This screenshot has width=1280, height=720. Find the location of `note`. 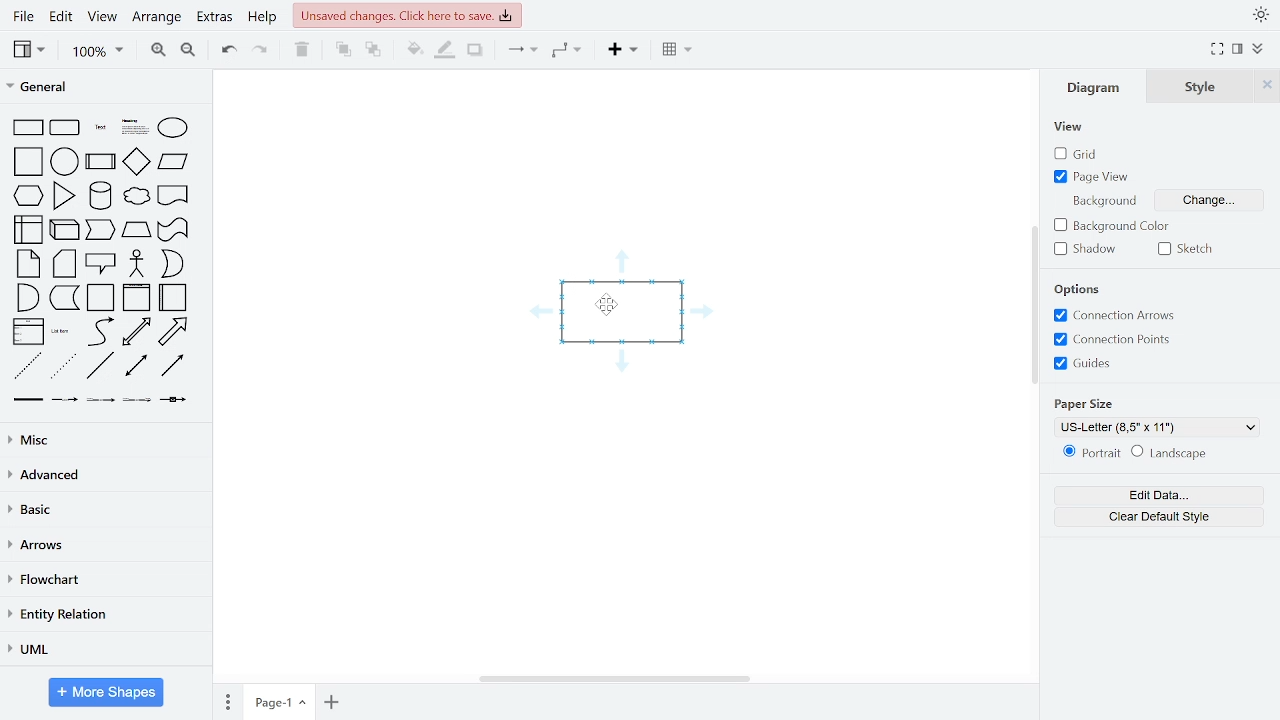

note is located at coordinates (28, 264).